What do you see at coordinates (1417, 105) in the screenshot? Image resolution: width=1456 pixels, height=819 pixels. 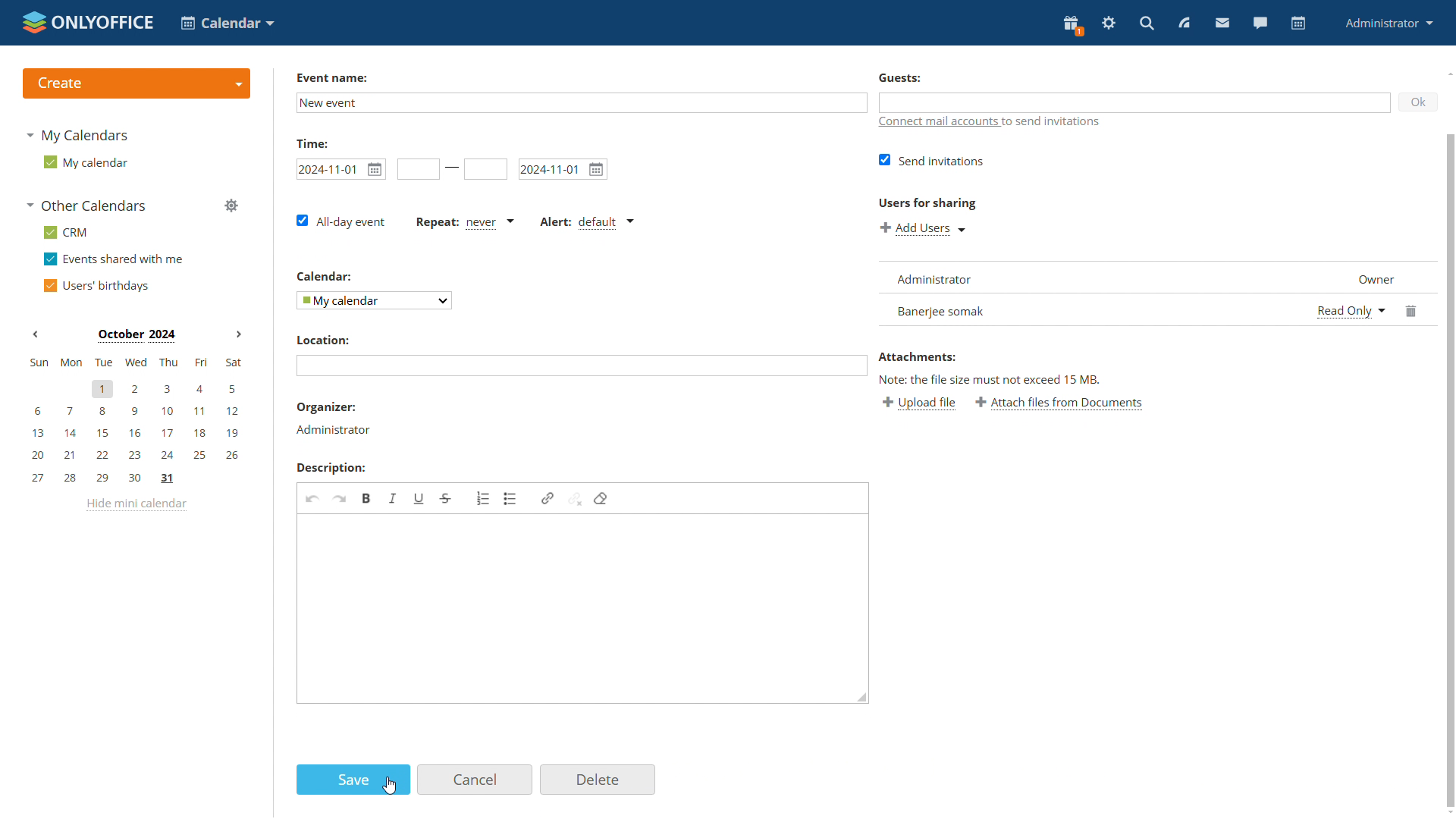 I see `ok` at bounding box center [1417, 105].